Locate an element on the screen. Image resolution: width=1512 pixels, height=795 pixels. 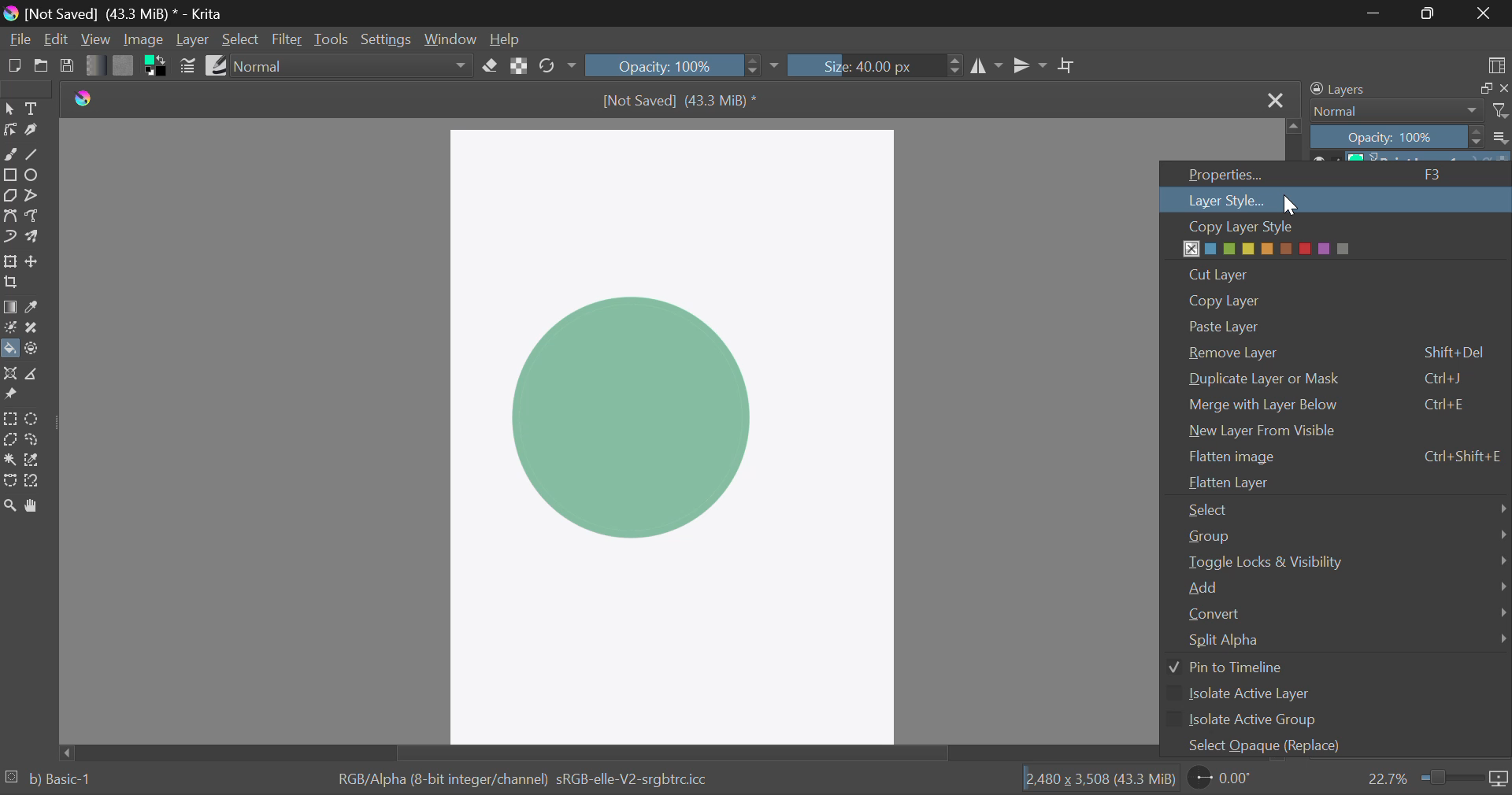
Cursor on Layer Style is located at coordinates (1332, 201).